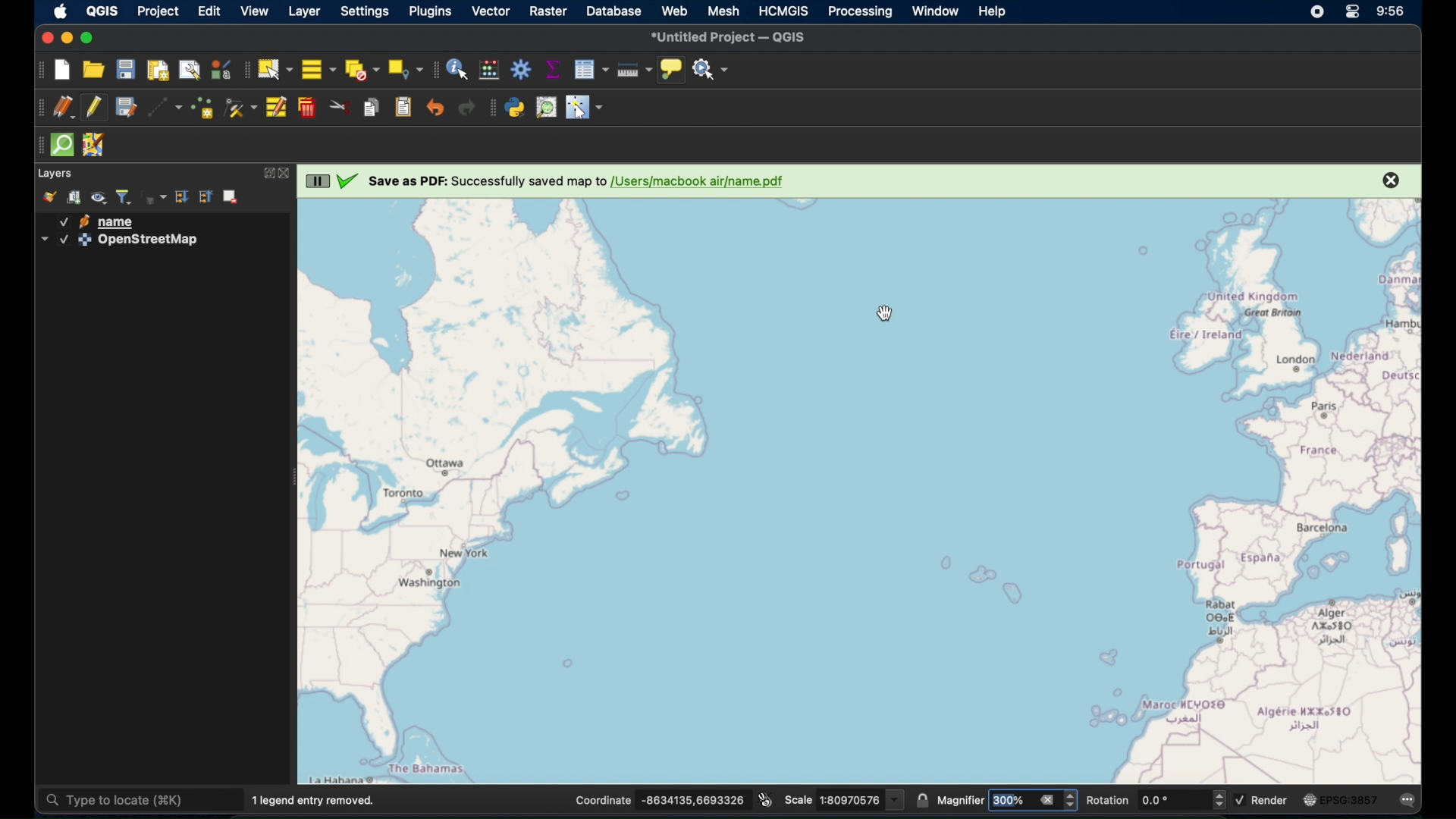 The height and width of the screenshot is (819, 1456). Describe the element at coordinates (846, 799) in the screenshot. I see `scale` at that location.